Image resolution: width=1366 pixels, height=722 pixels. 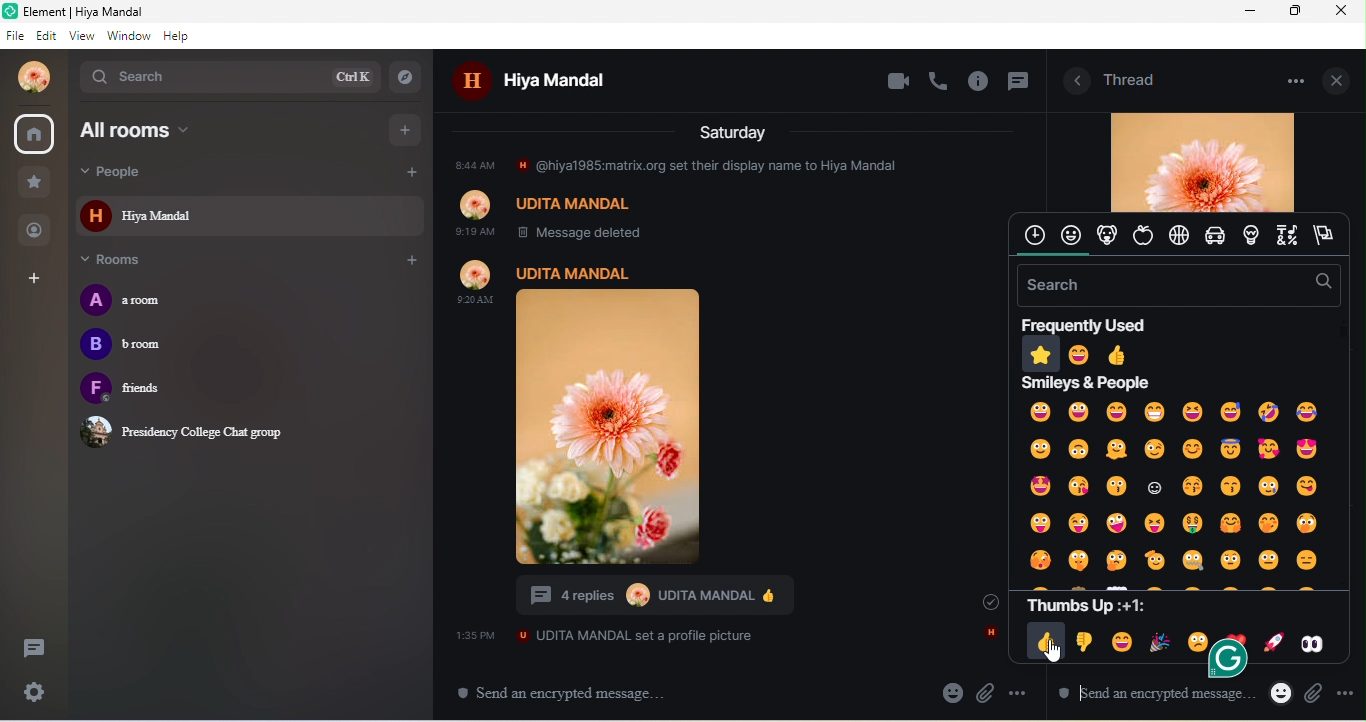 I want to click on edit, so click(x=49, y=36).